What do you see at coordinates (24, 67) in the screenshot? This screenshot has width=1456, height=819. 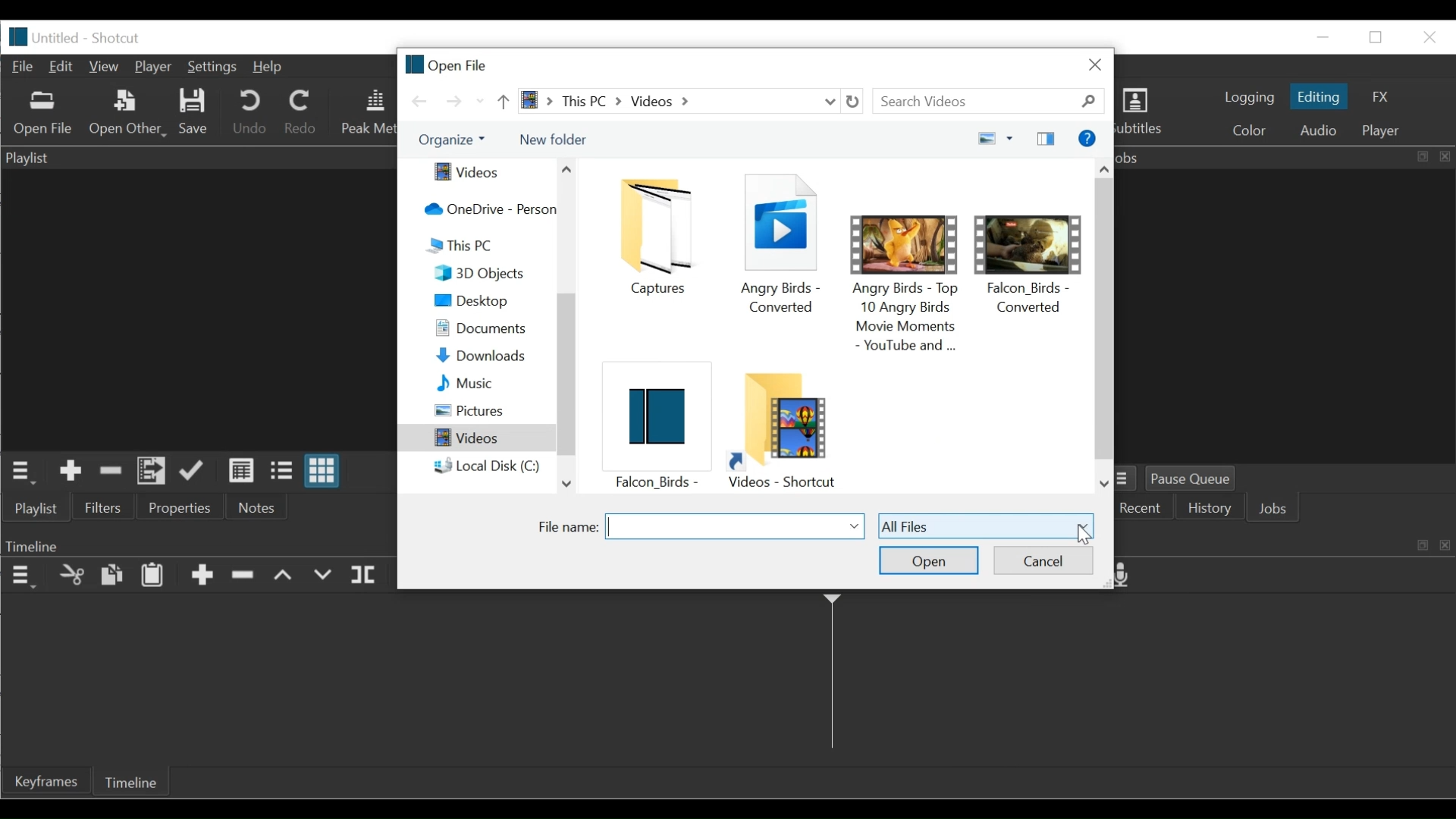 I see `File` at bounding box center [24, 67].